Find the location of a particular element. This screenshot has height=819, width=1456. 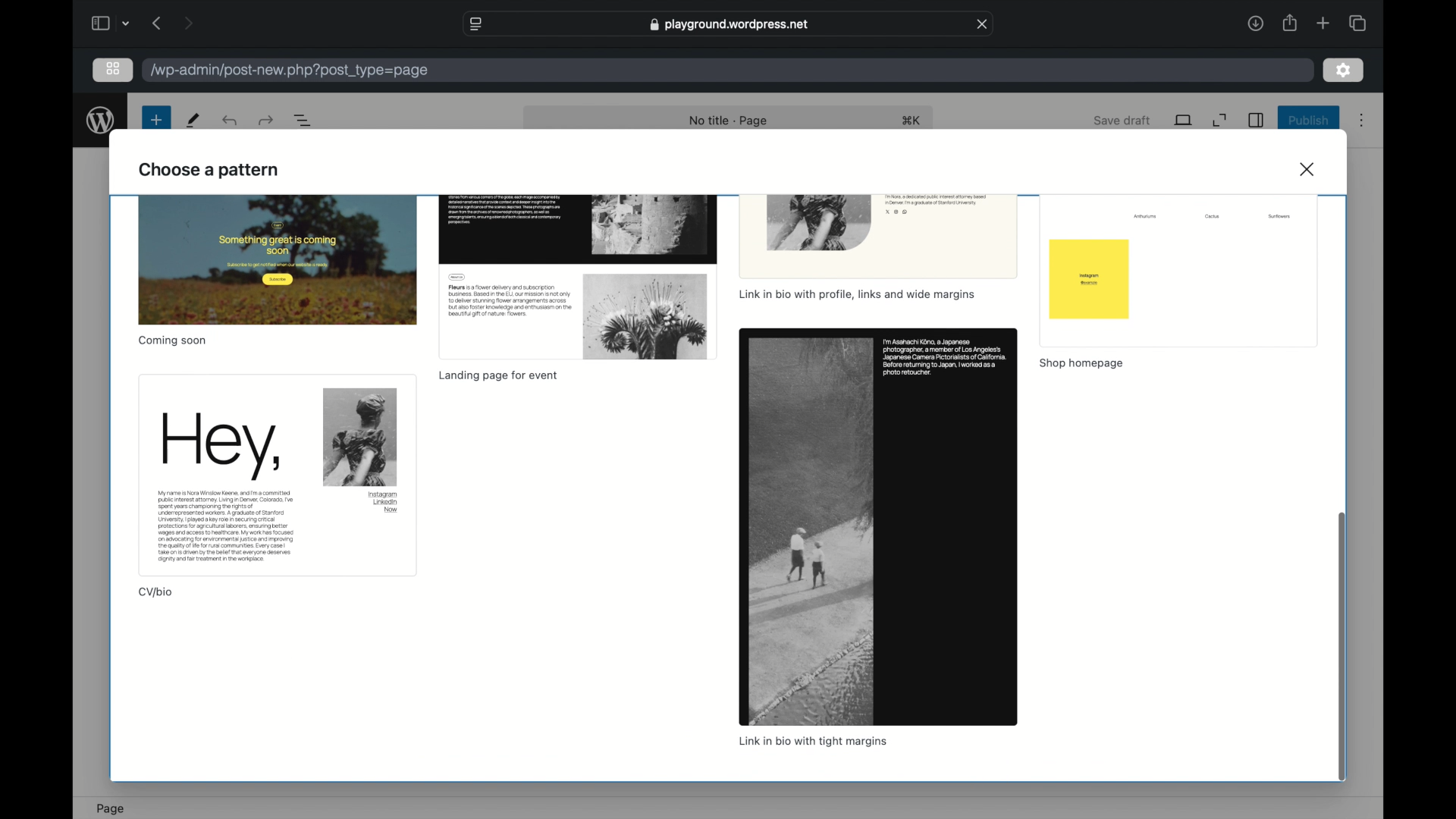

view is located at coordinates (1184, 120).